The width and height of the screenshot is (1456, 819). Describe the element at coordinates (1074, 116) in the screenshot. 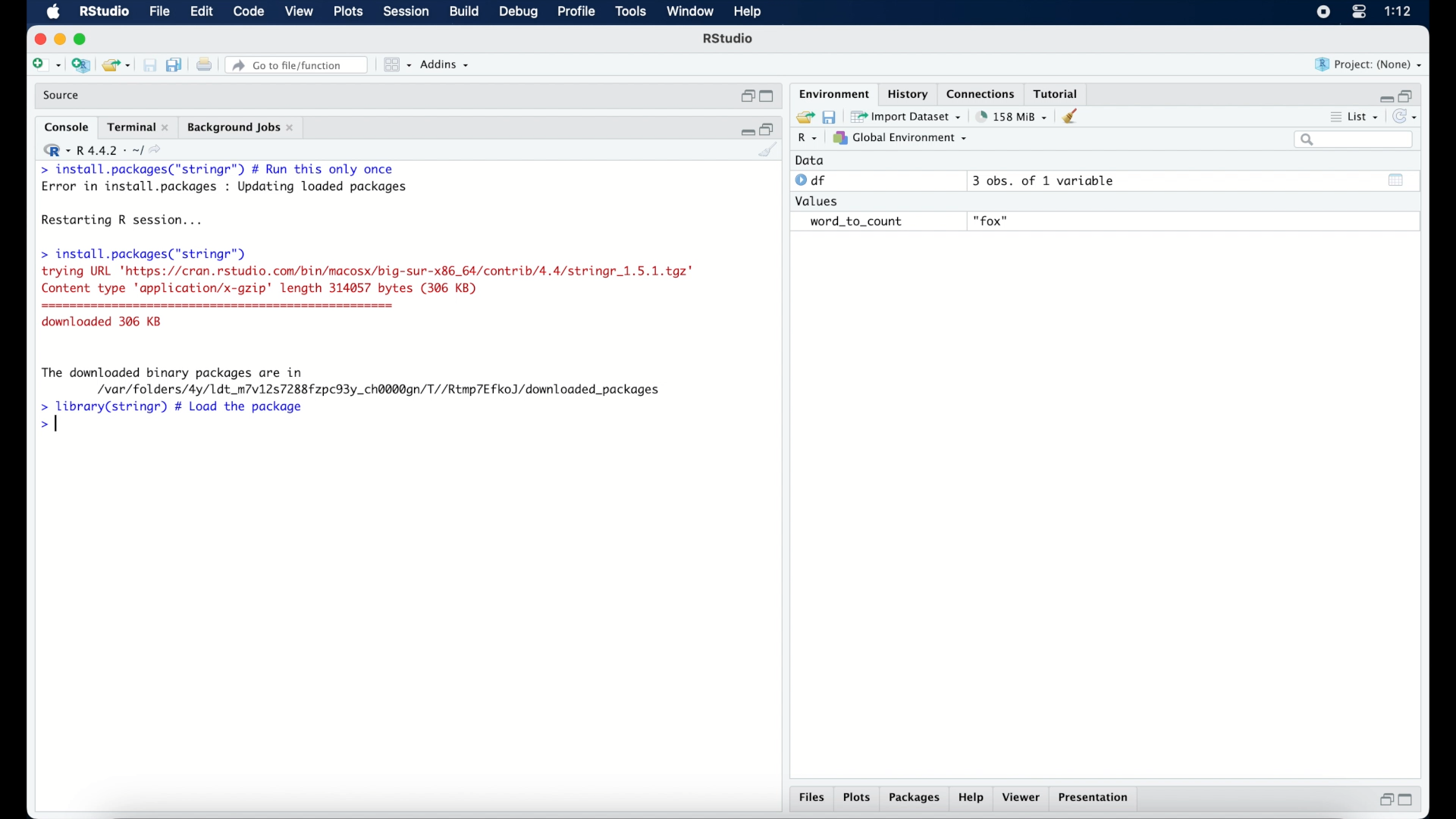

I see `clear console` at that location.